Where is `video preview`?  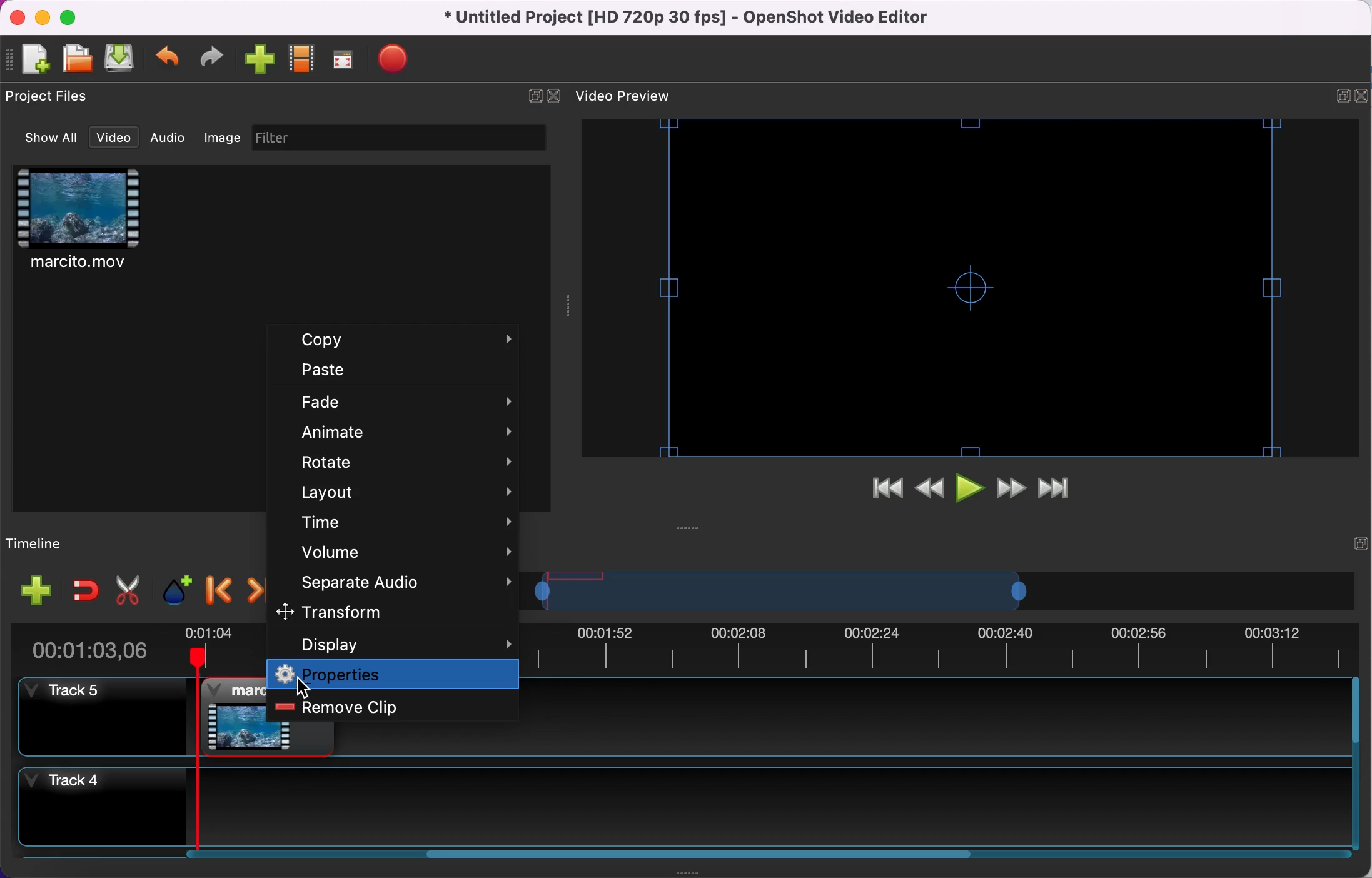
video preview is located at coordinates (967, 286).